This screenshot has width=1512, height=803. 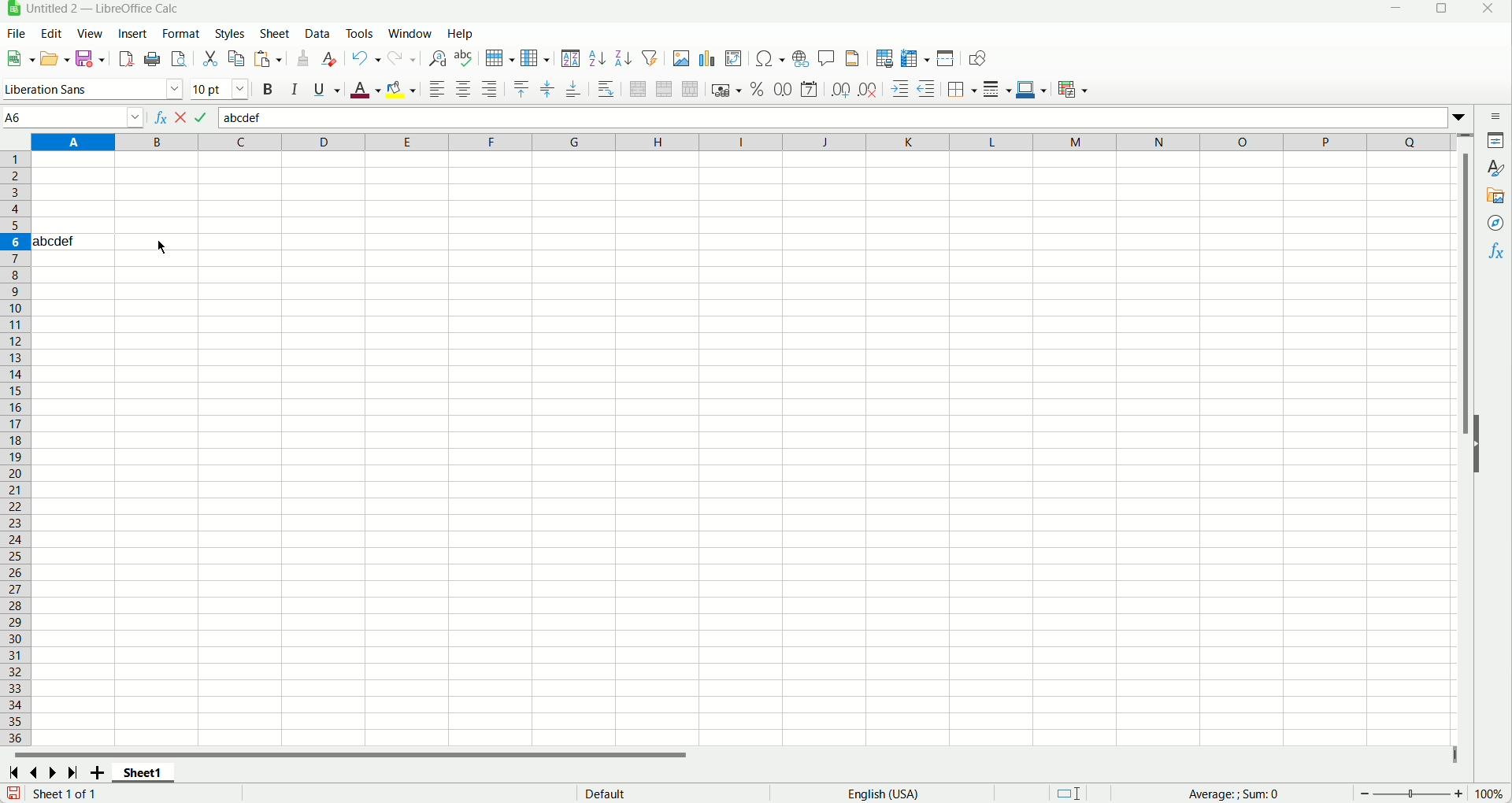 I want to click on spelling, so click(x=463, y=57).